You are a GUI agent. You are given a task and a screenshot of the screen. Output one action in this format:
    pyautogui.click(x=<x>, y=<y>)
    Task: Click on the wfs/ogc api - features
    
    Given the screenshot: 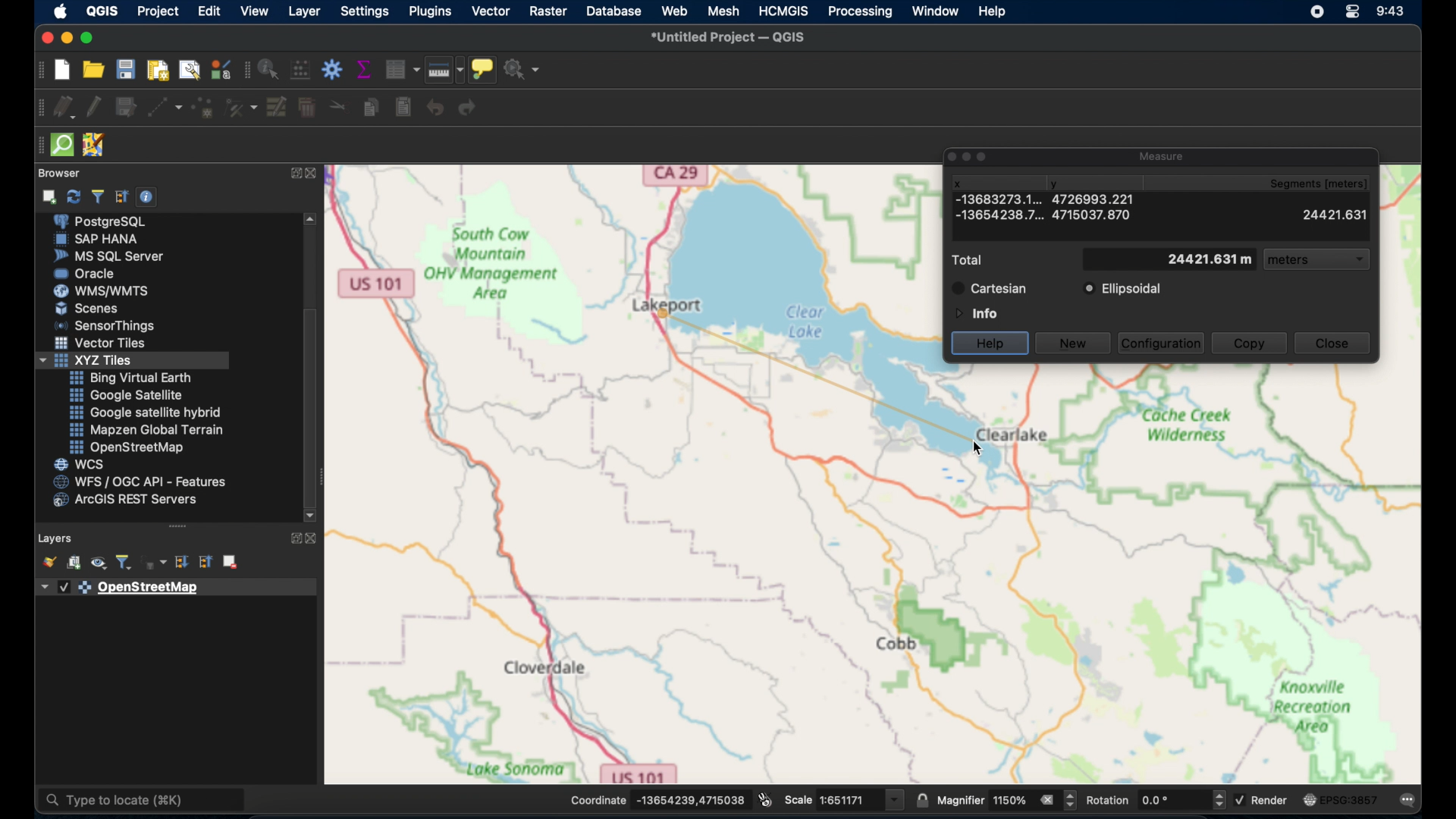 What is the action you would take?
    pyautogui.click(x=140, y=482)
    